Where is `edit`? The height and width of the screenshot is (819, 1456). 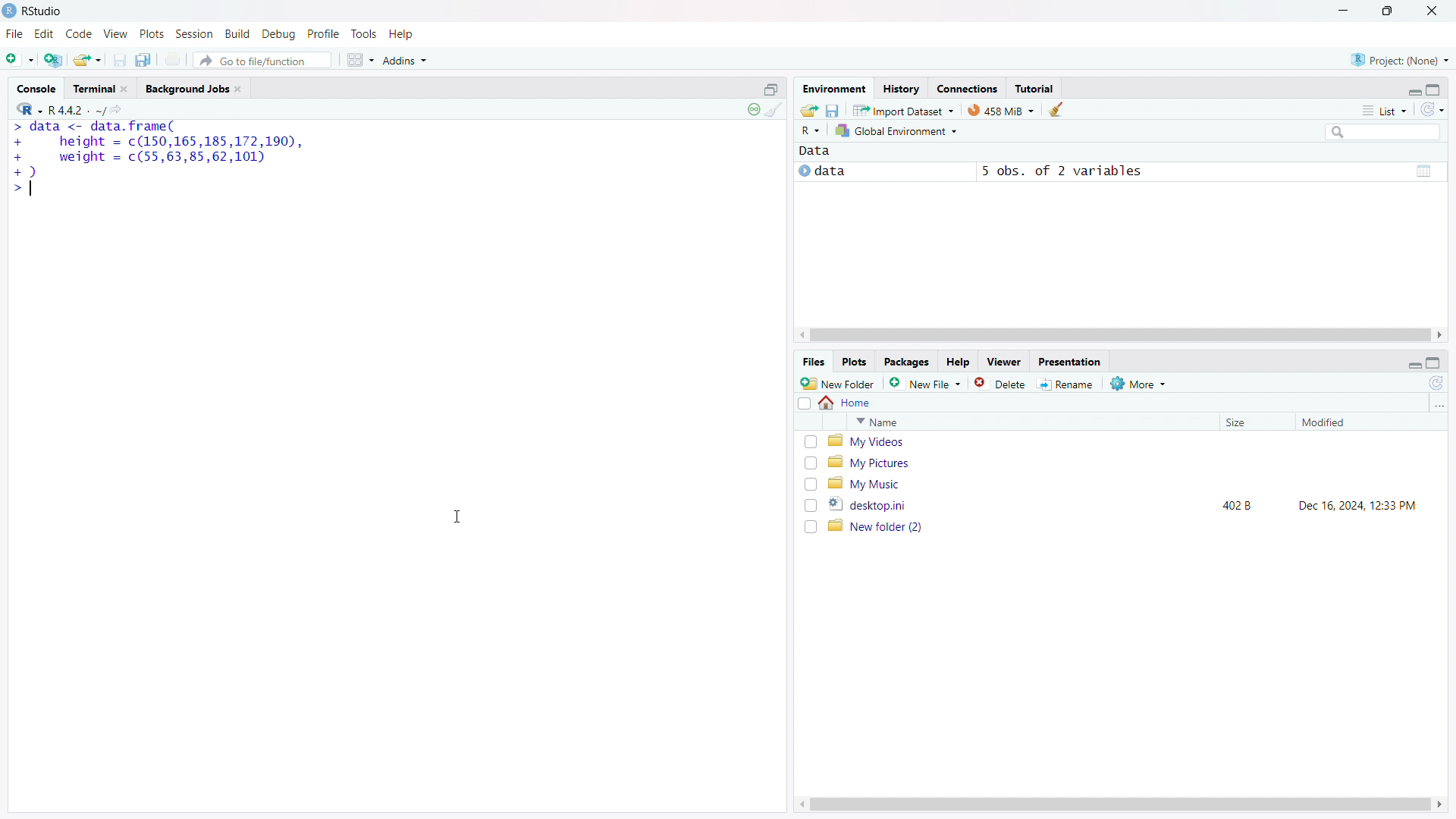 edit is located at coordinates (45, 34).